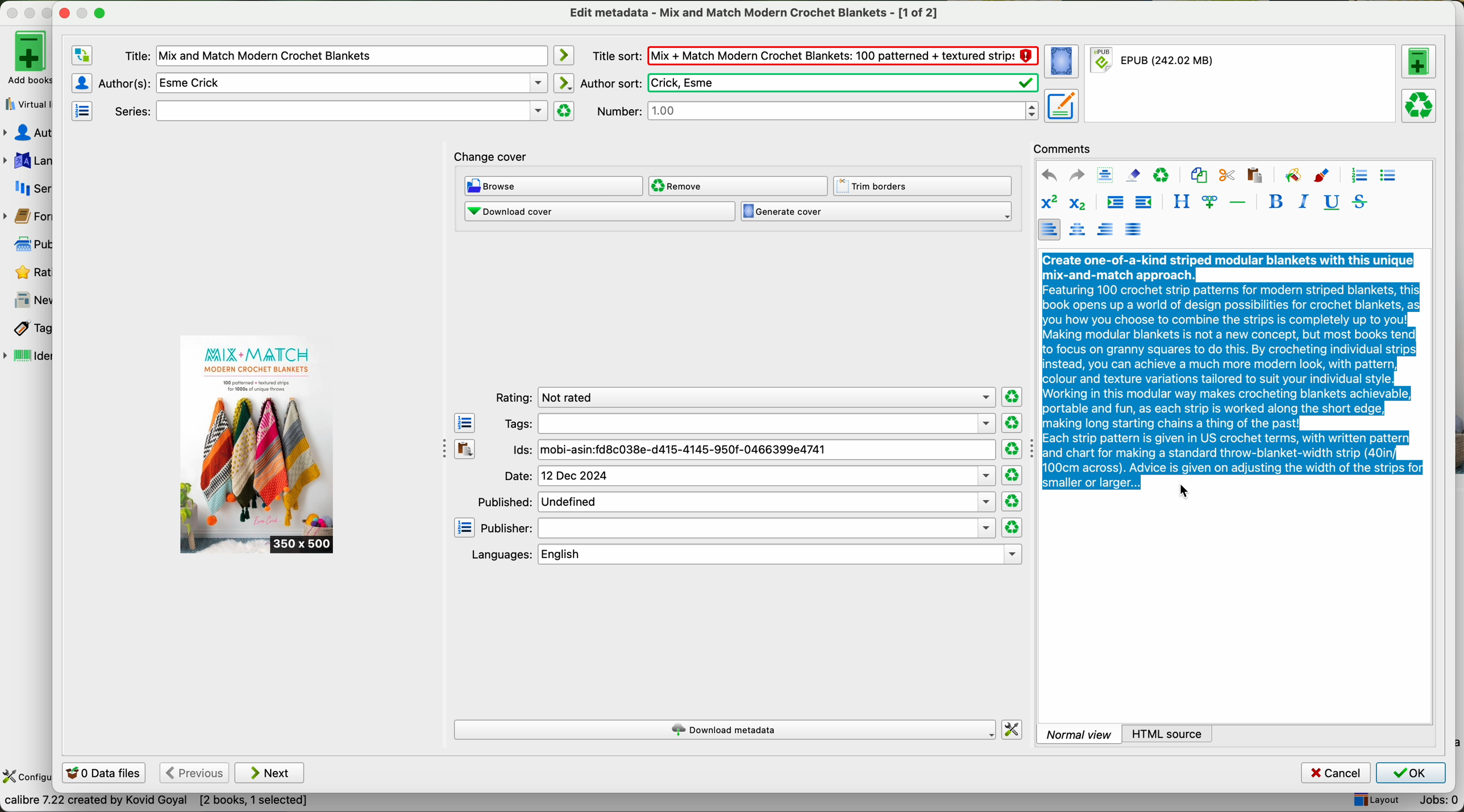  I want to click on open the manage publishers editor, so click(465, 528).